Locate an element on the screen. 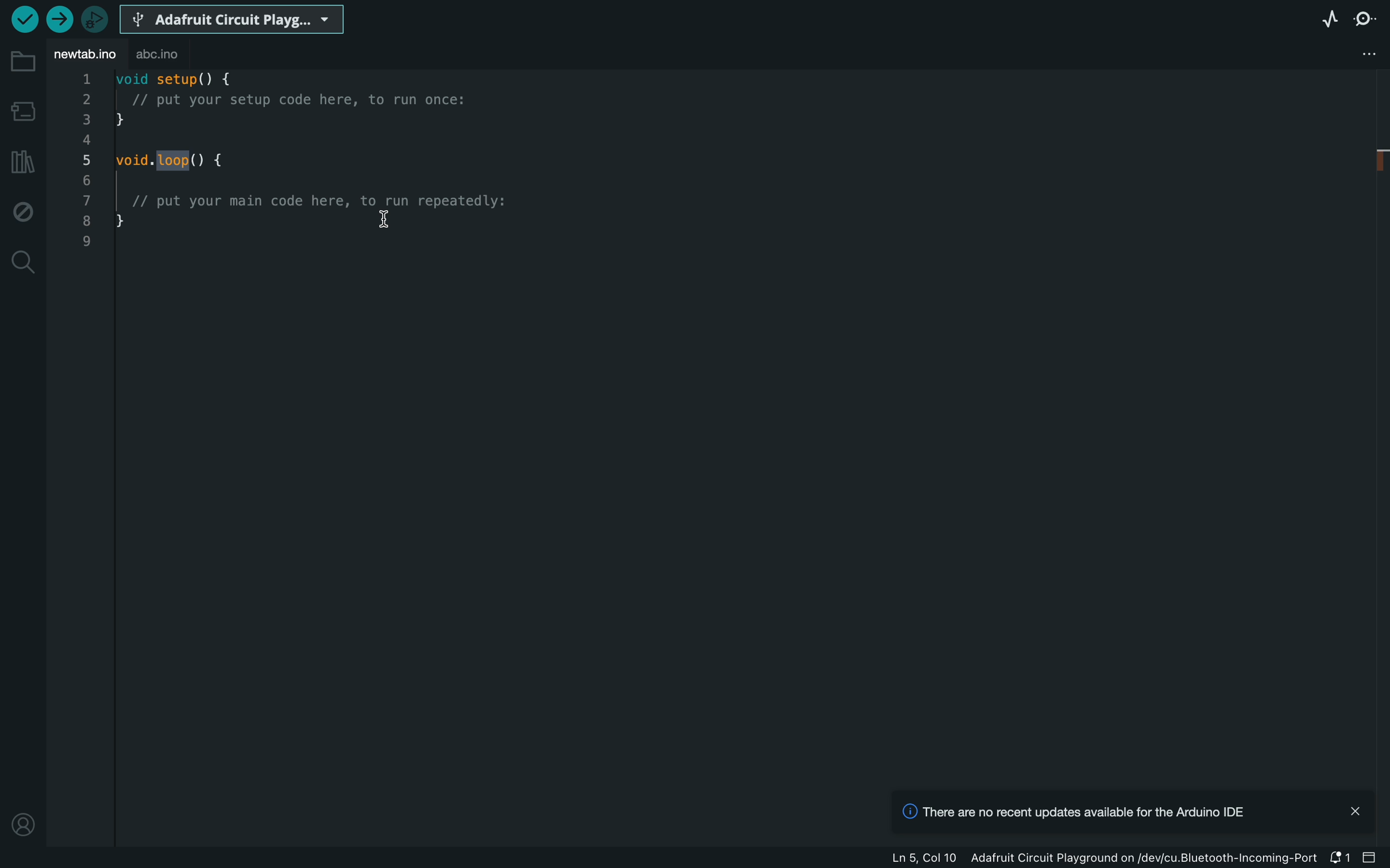 Image resolution: width=1390 pixels, height=868 pixels. newtab.ino is located at coordinates (86, 56).